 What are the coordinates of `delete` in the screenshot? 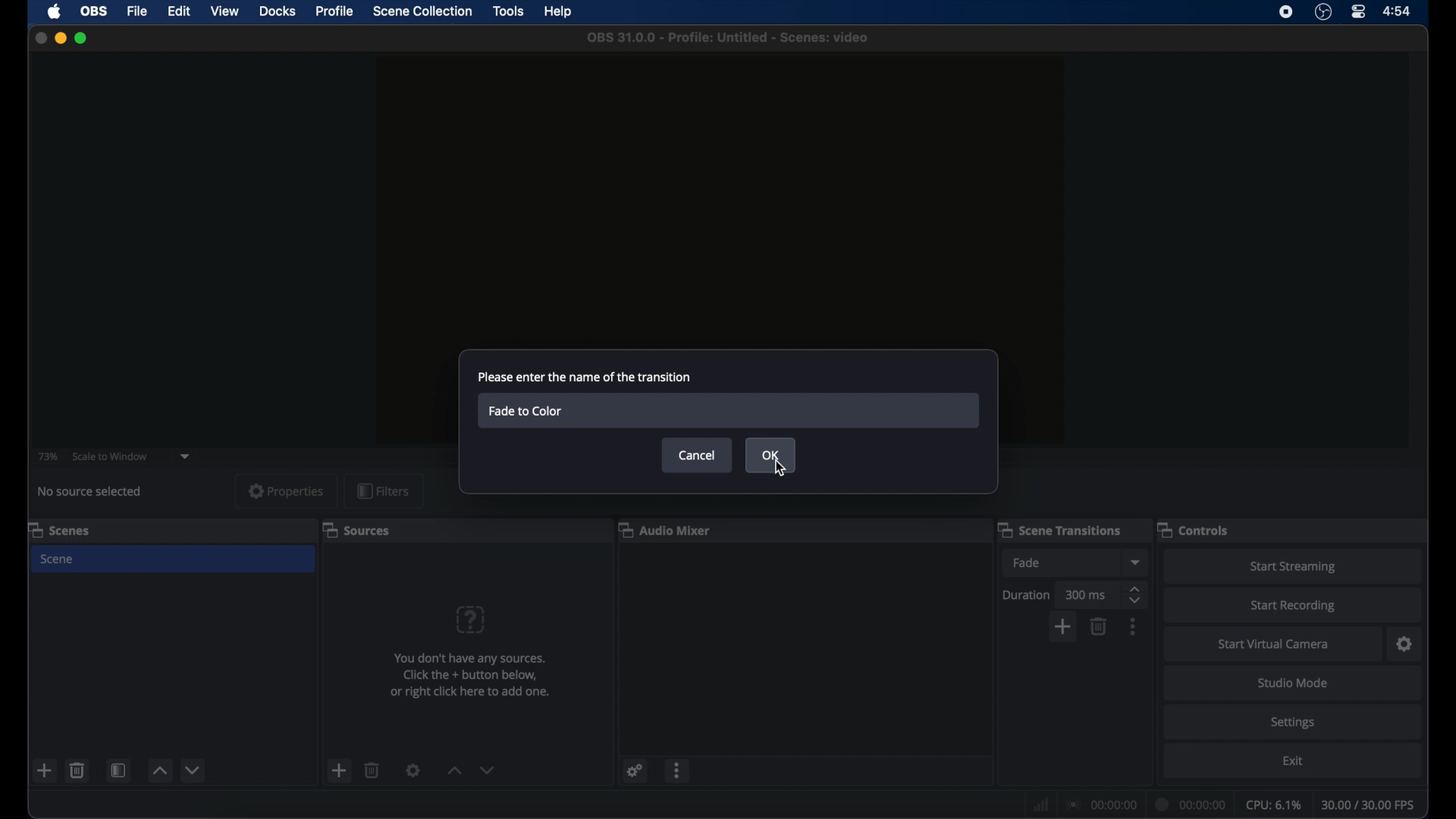 It's located at (372, 770).